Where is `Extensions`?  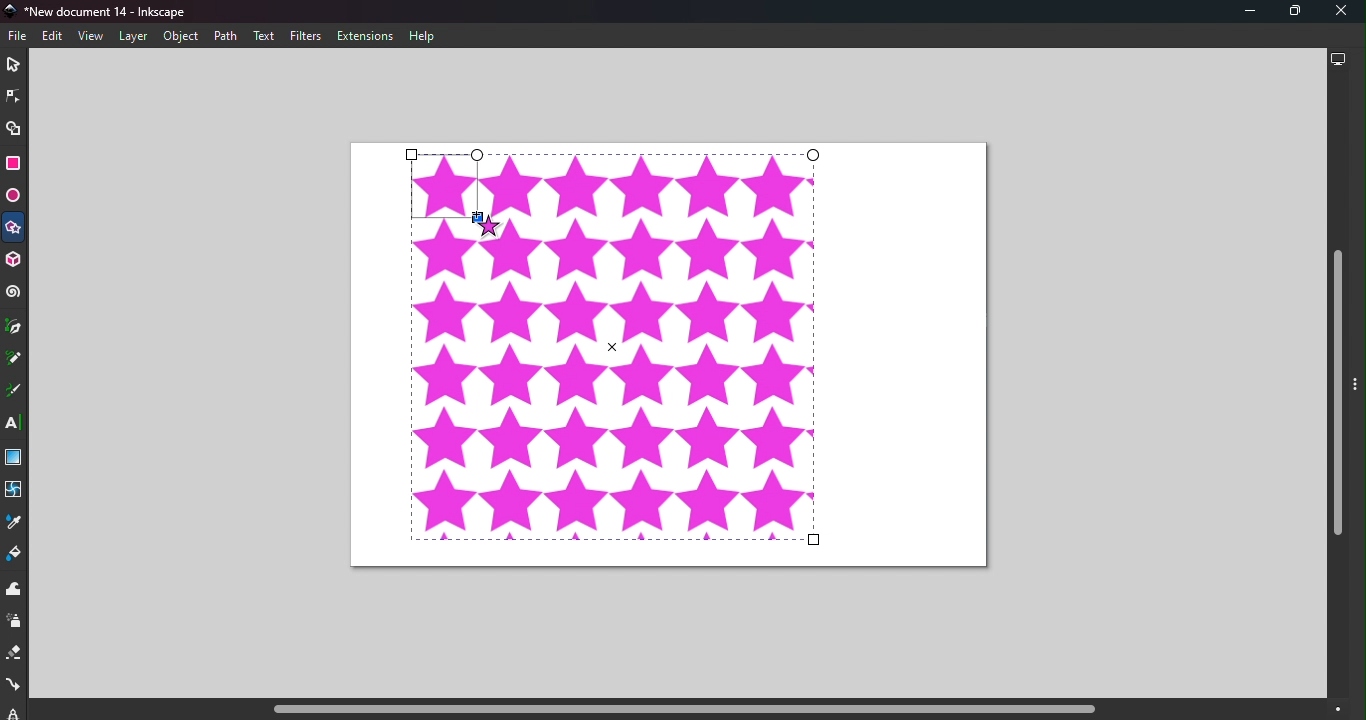 Extensions is located at coordinates (369, 36).